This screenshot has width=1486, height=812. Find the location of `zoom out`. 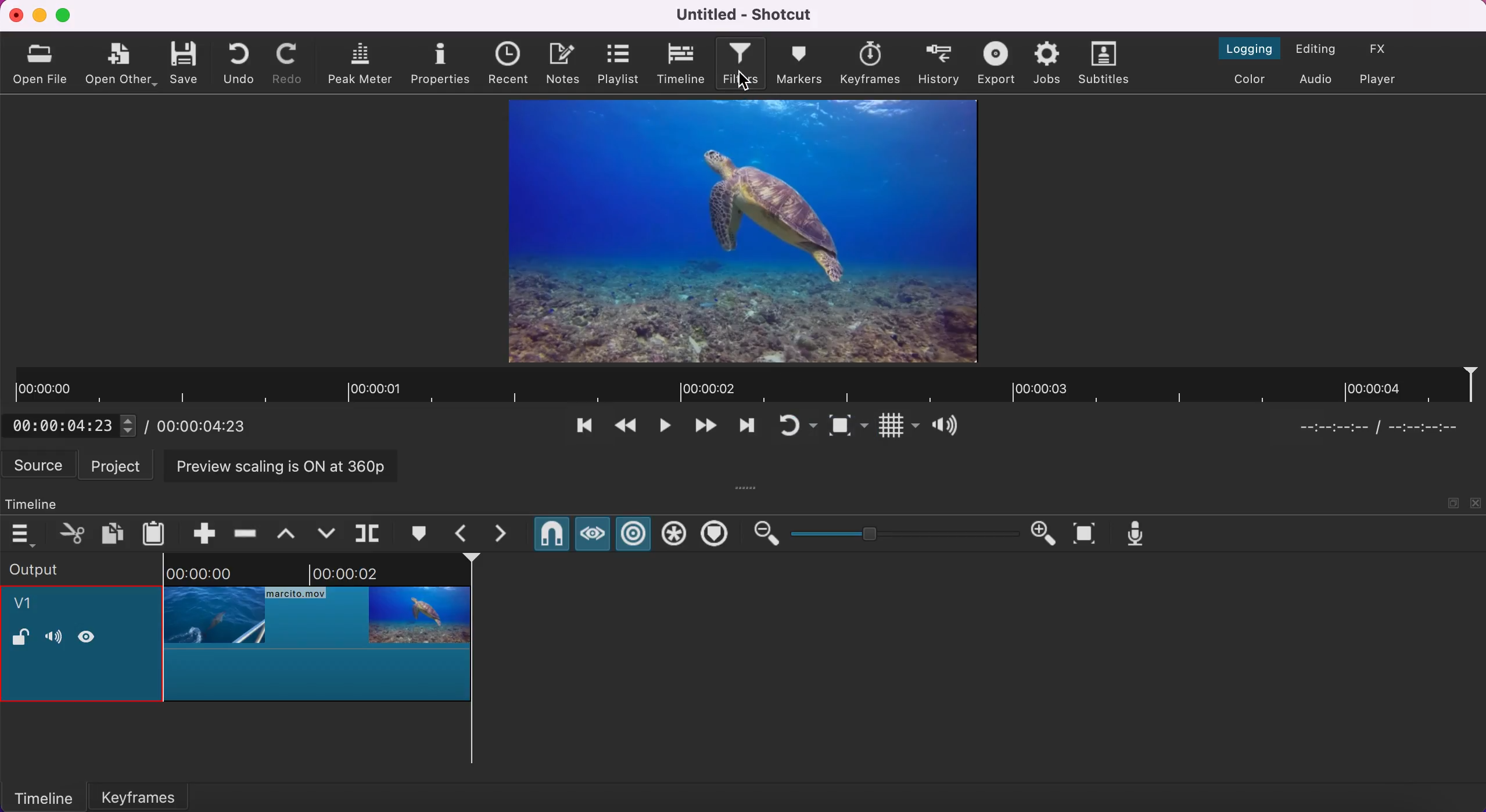

zoom out is located at coordinates (765, 534).